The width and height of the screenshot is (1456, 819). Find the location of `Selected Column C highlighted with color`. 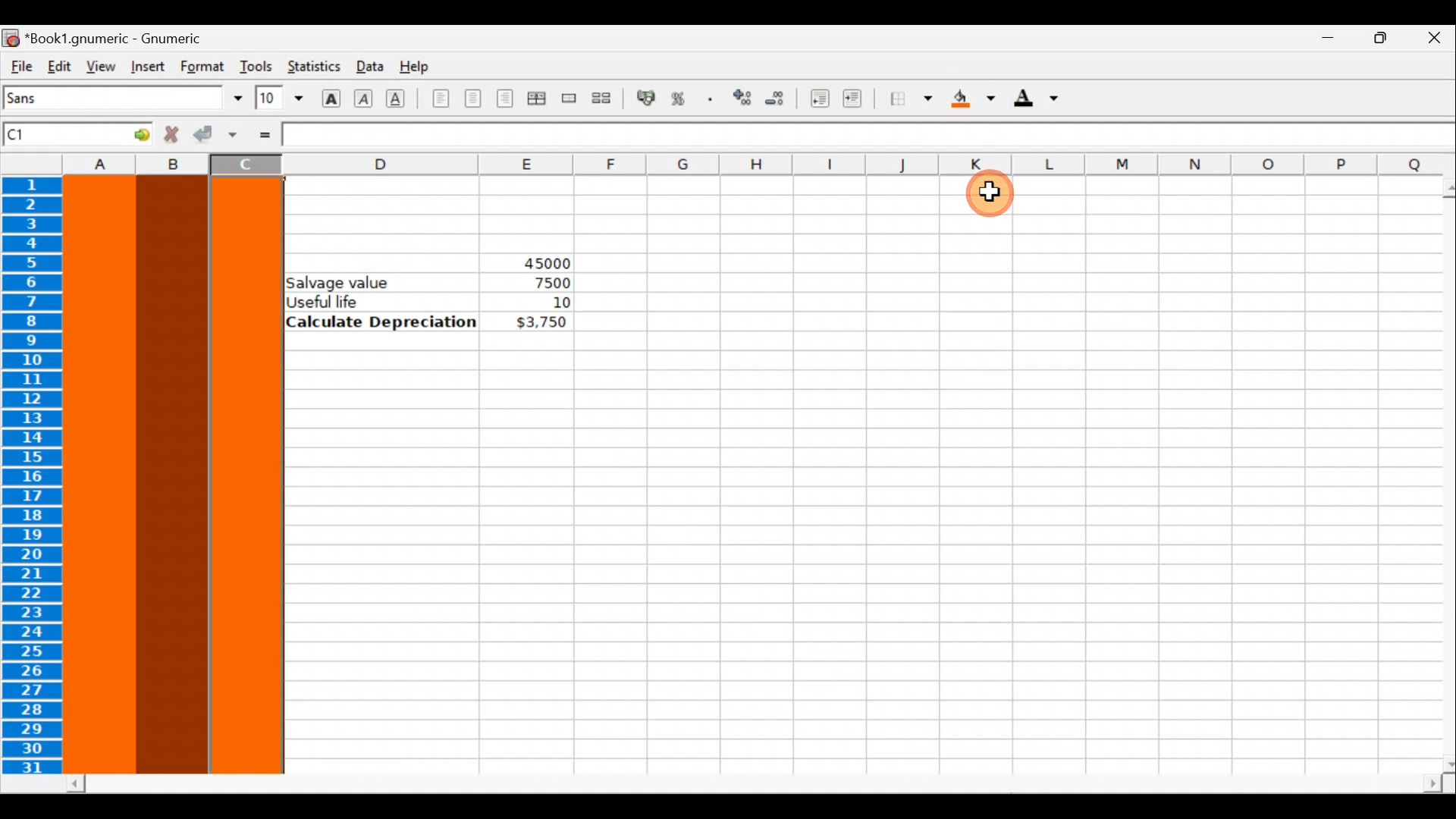

Selected Column C highlighted with color is located at coordinates (246, 475).